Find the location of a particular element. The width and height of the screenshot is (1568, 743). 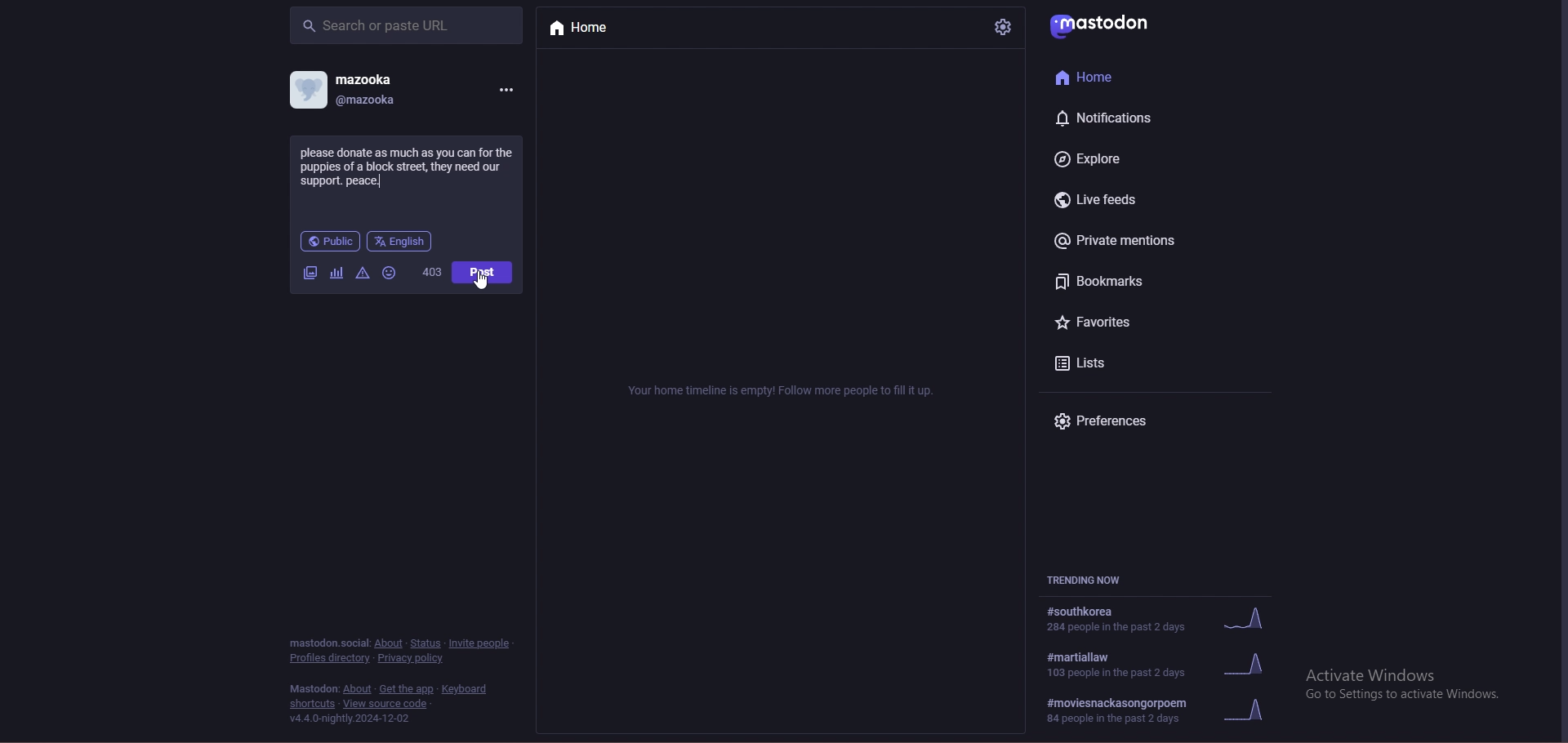

invite people is located at coordinates (481, 643).